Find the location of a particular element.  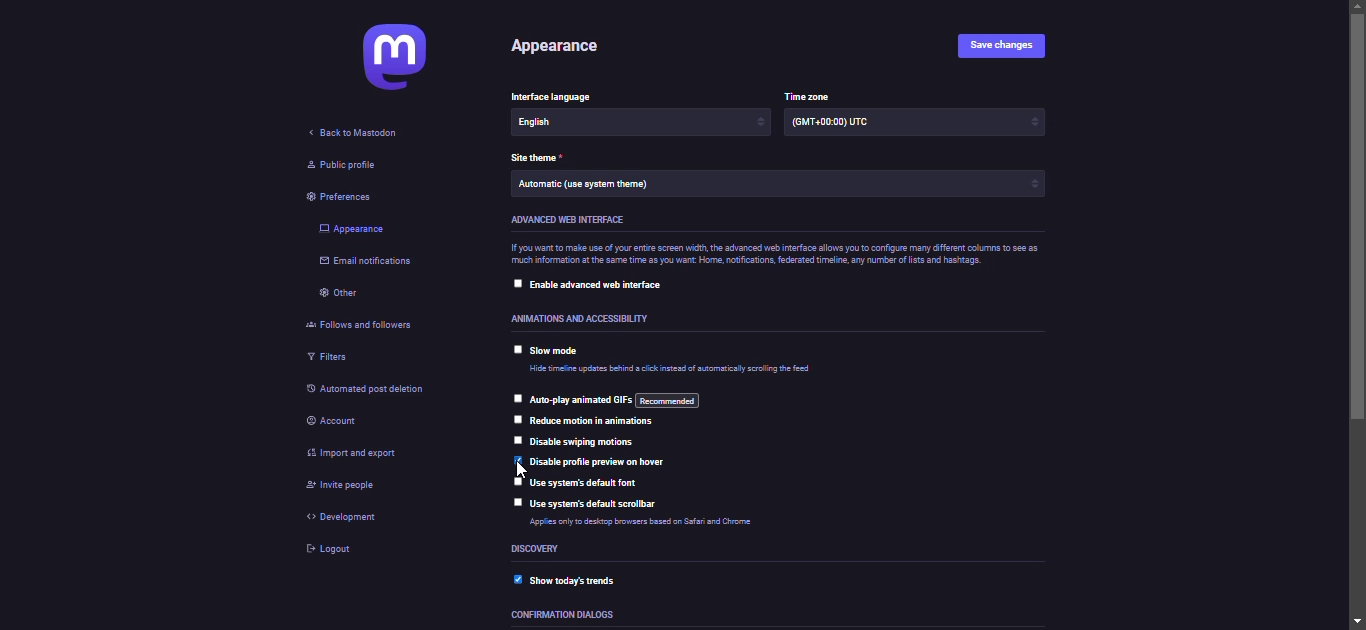

appearance is located at coordinates (353, 228).